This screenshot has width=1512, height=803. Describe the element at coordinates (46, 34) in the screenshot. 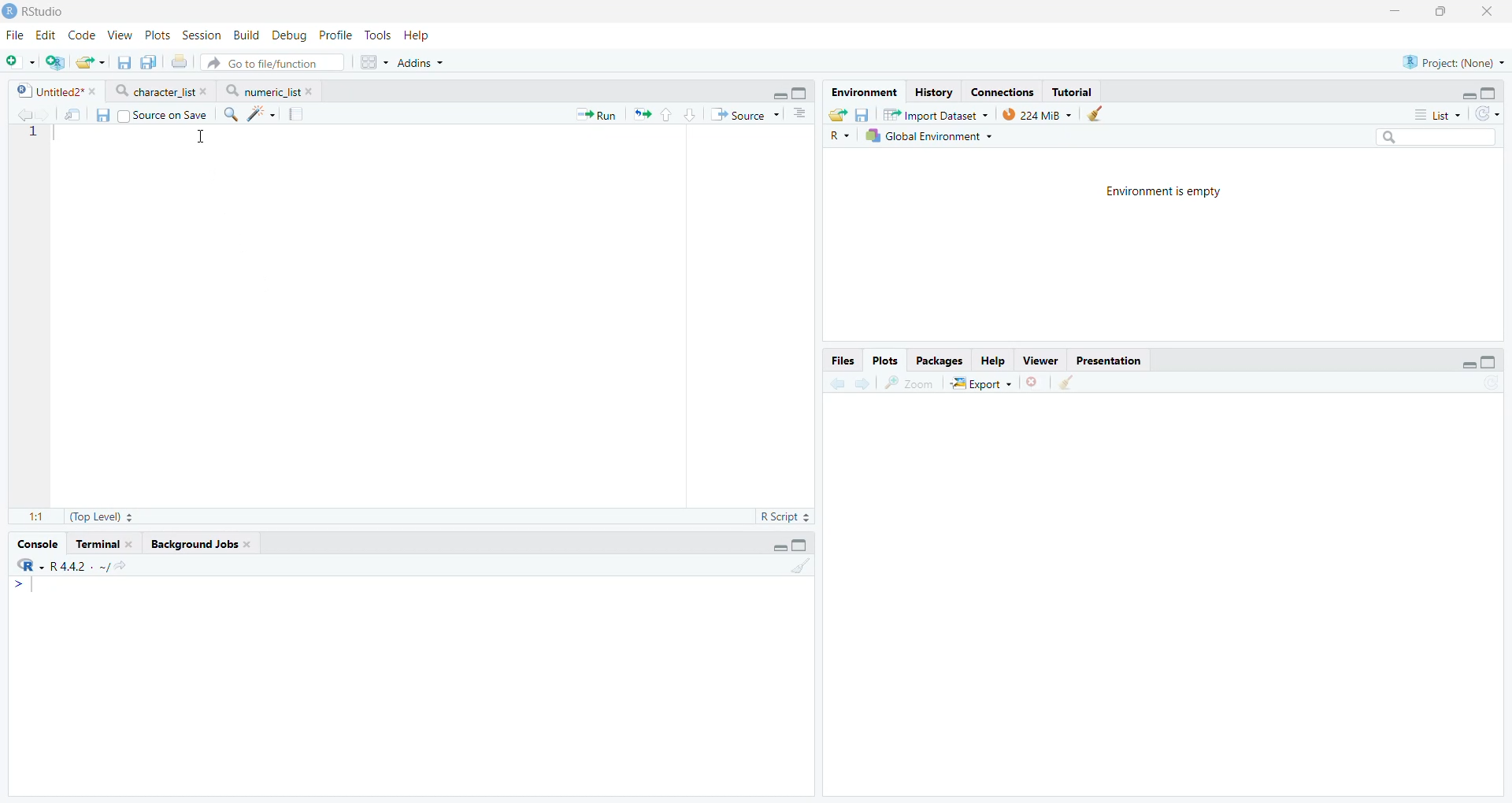

I see `Edit` at that location.